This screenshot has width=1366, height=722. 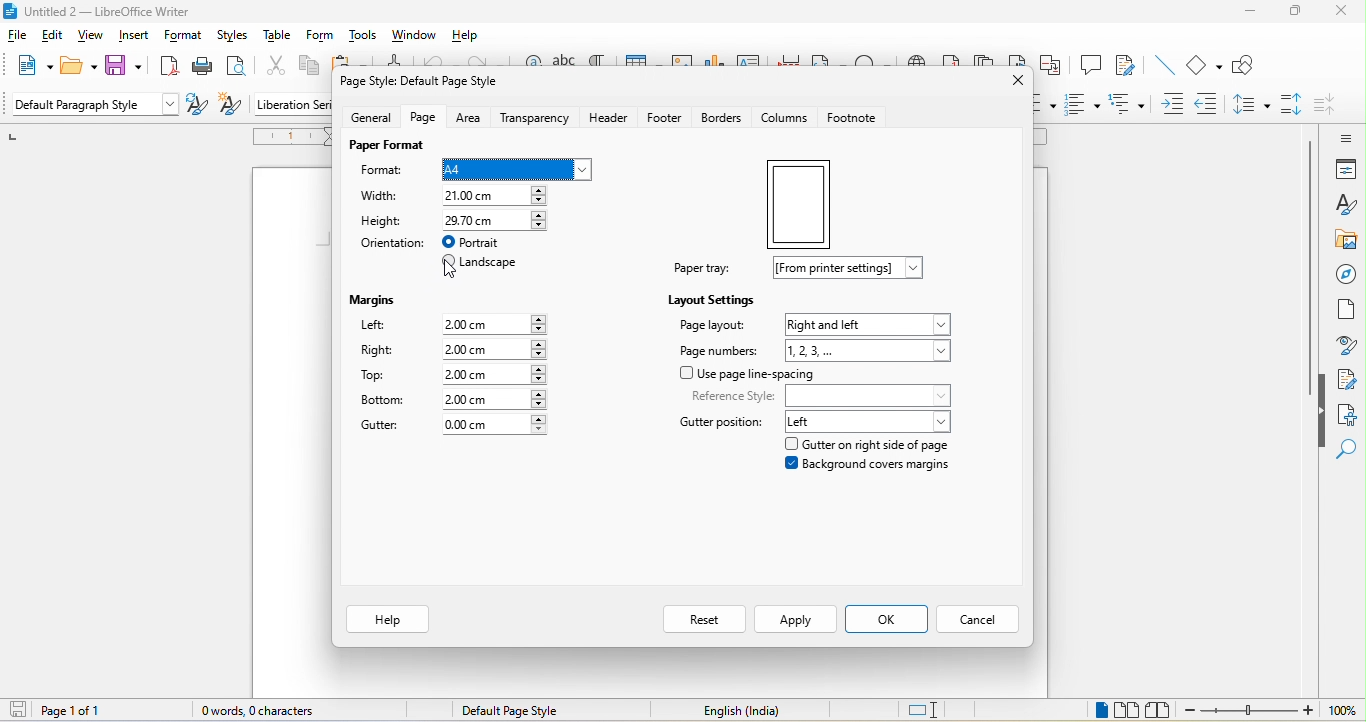 I want to click on page, so click(x=1347, y=316).